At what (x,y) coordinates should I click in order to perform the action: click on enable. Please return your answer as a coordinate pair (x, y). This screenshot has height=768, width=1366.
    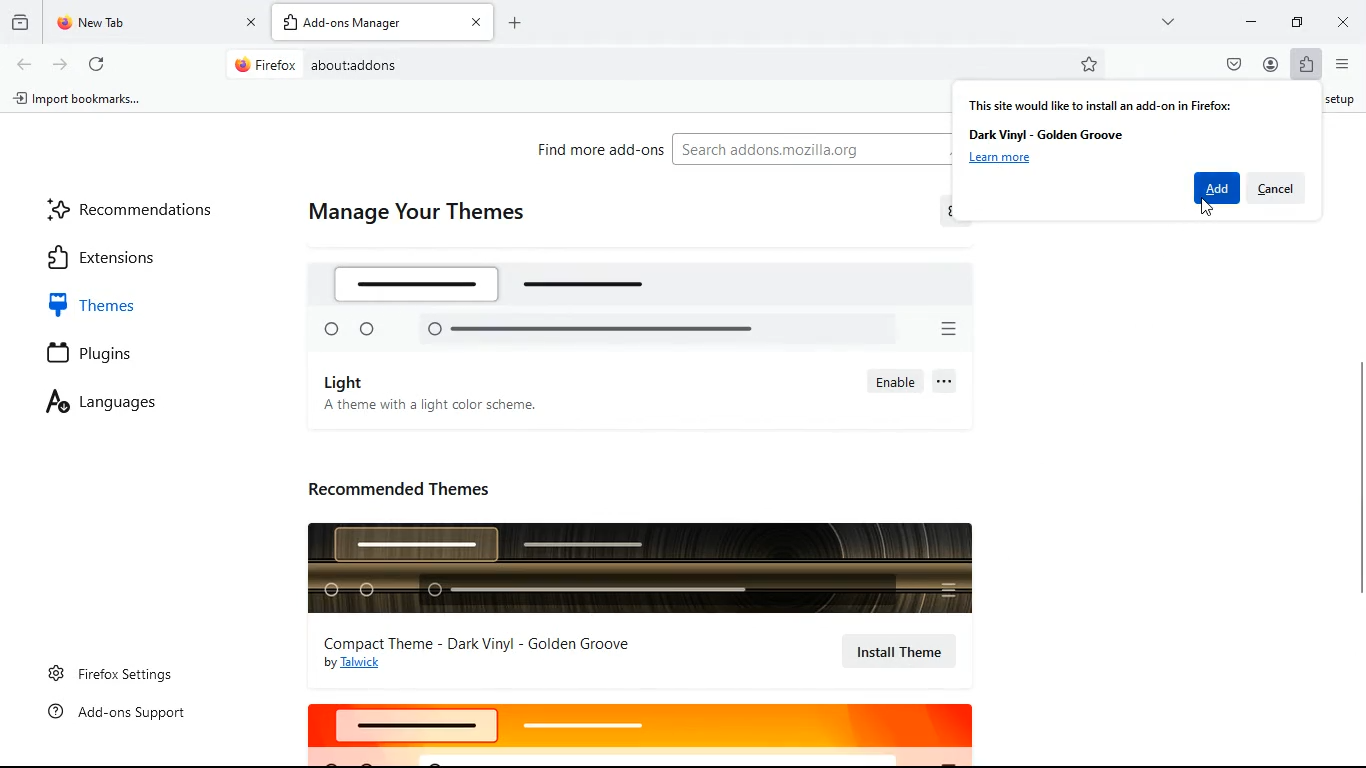
    Looking at the image, I should click on (894, 382).